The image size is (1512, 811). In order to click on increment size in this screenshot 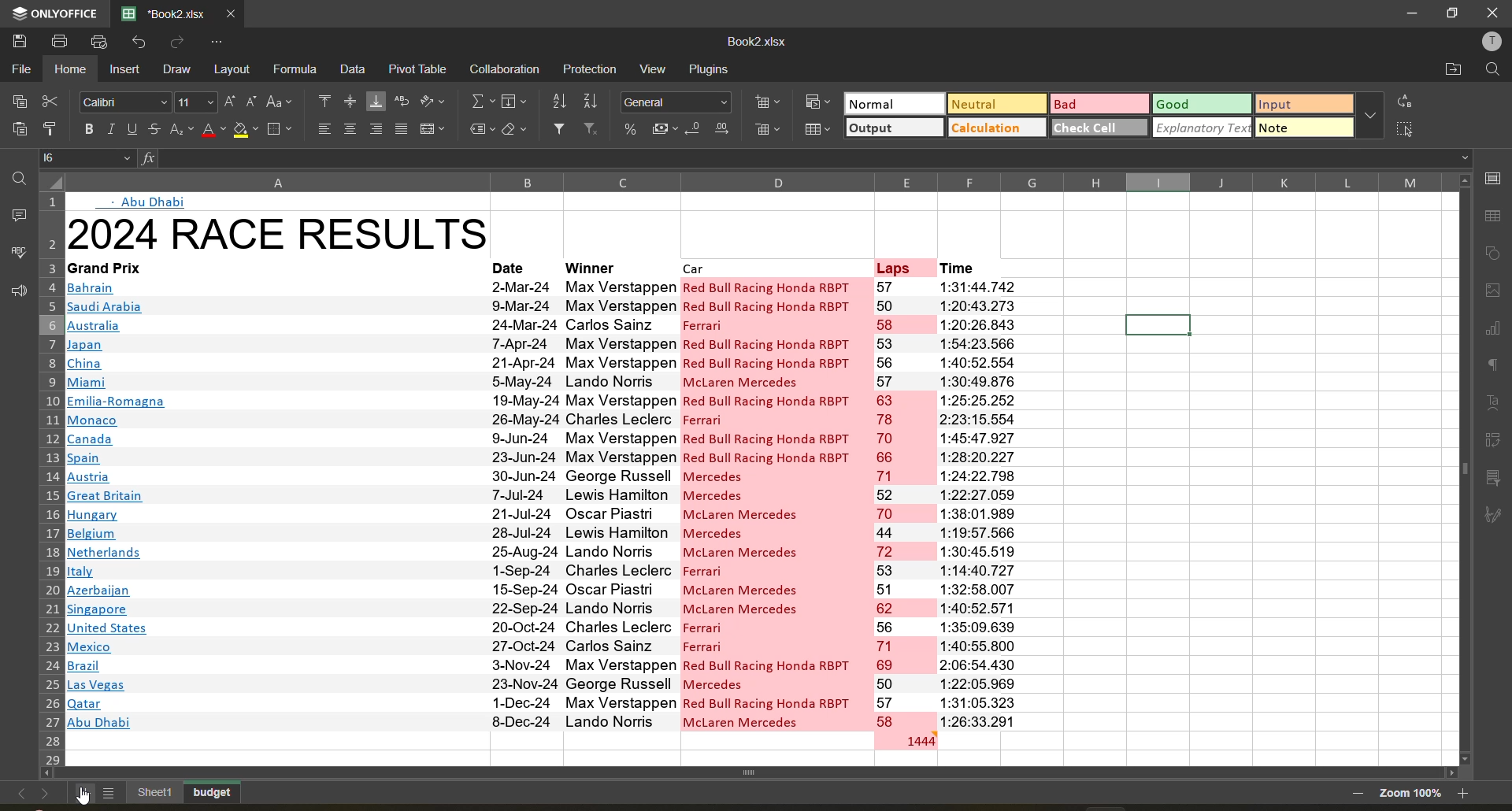, I will do `click(230, 100)`.